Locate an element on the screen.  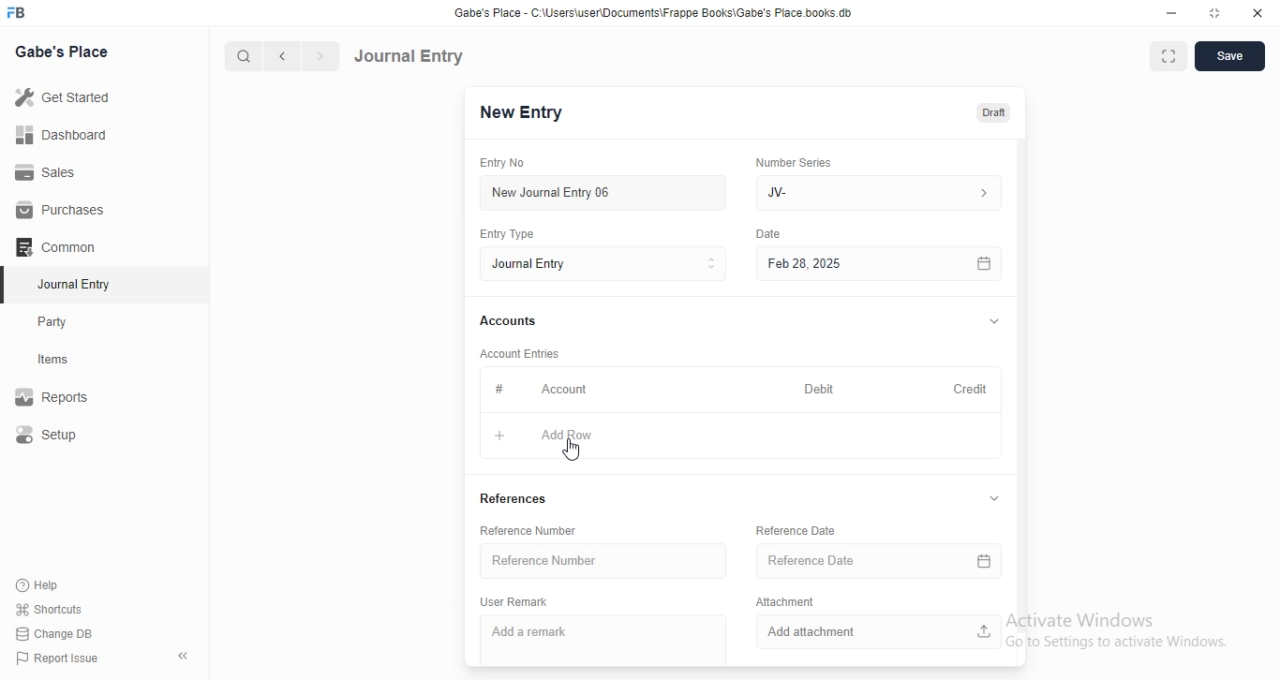
New Entry is located at coordinates (519, 113).